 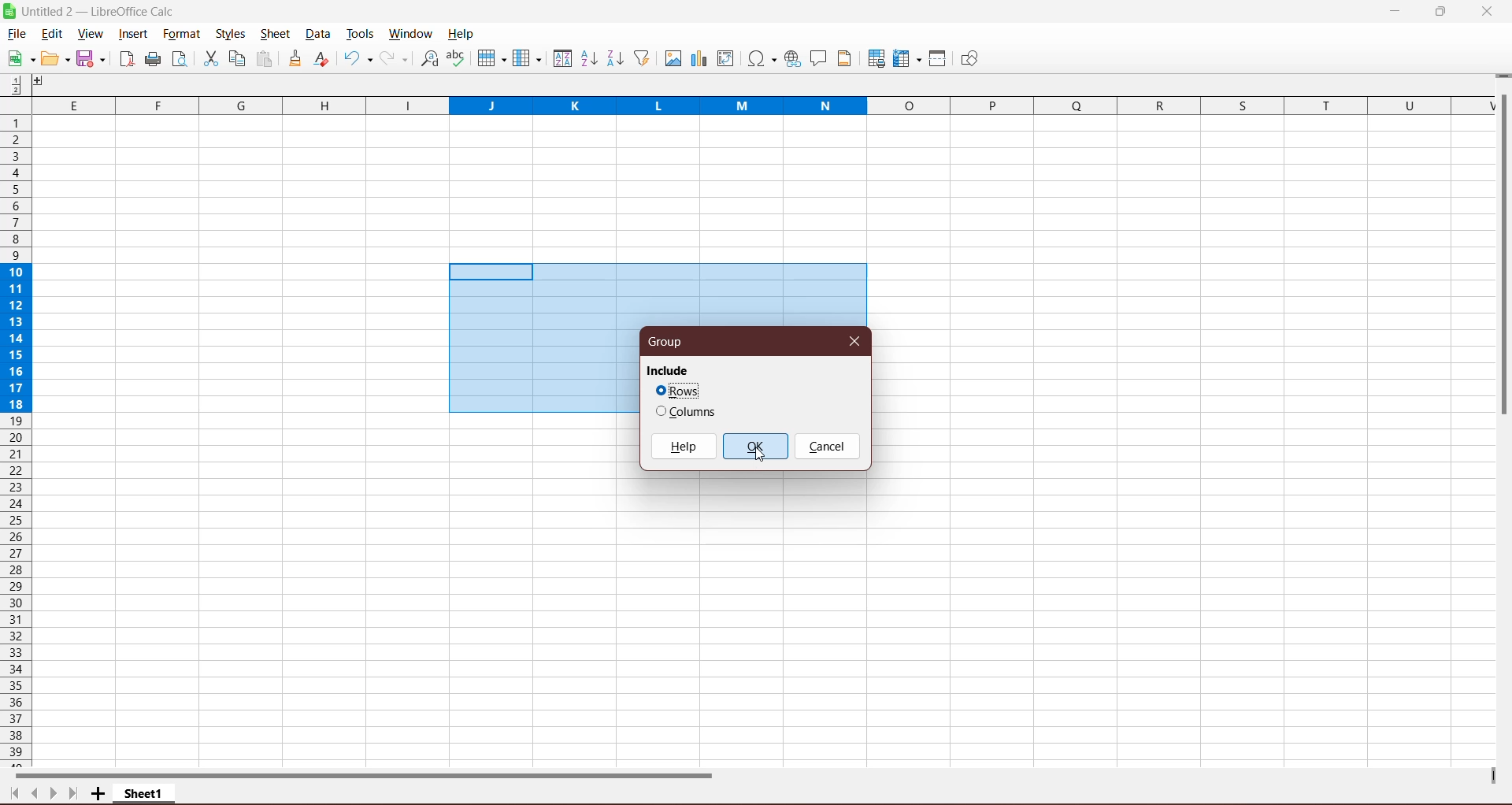 I want to click on Group, so click(x=669, y=341).